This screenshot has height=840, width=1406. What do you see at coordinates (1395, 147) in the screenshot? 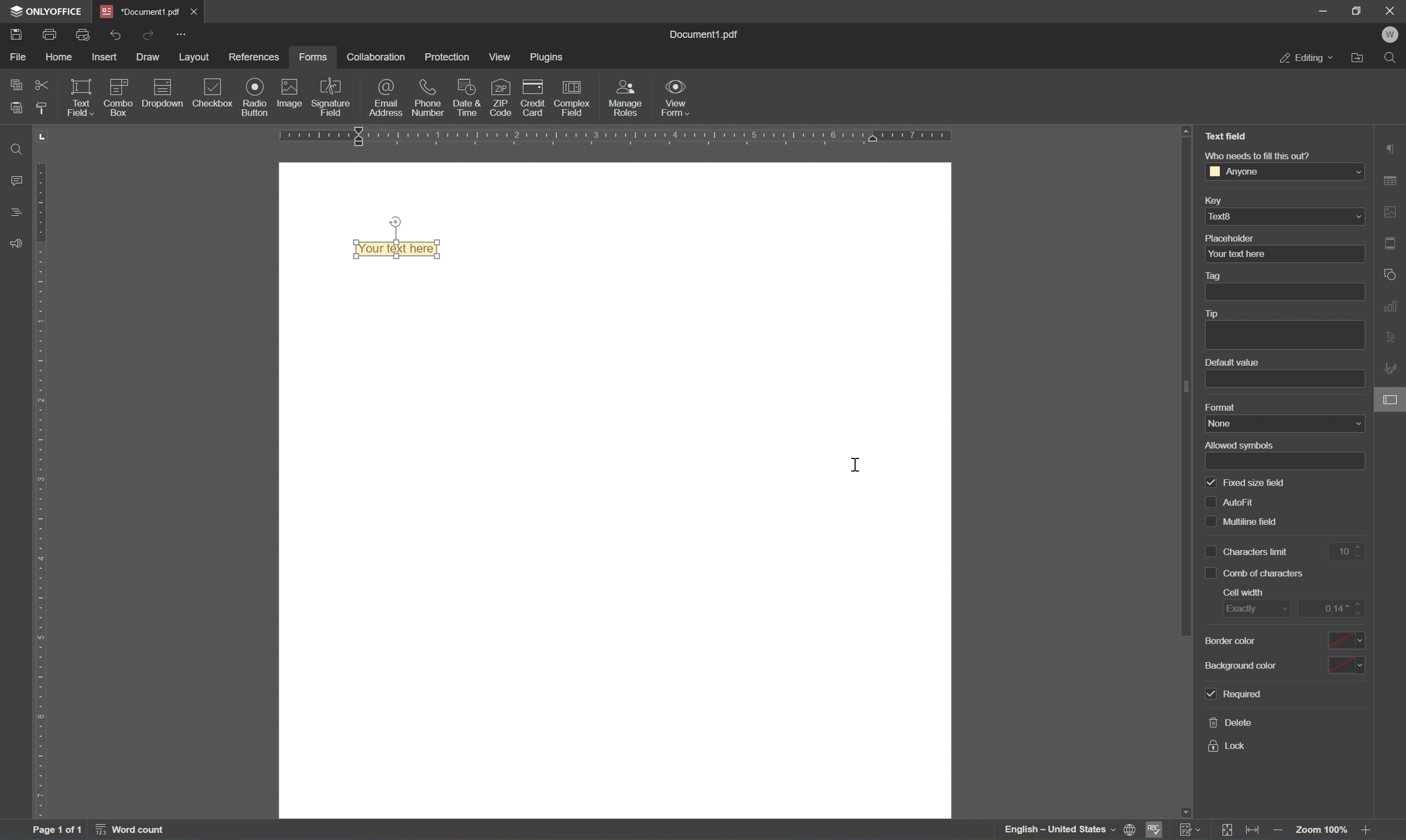
I see `paragraph settings` at bounding box center [1395, 147].